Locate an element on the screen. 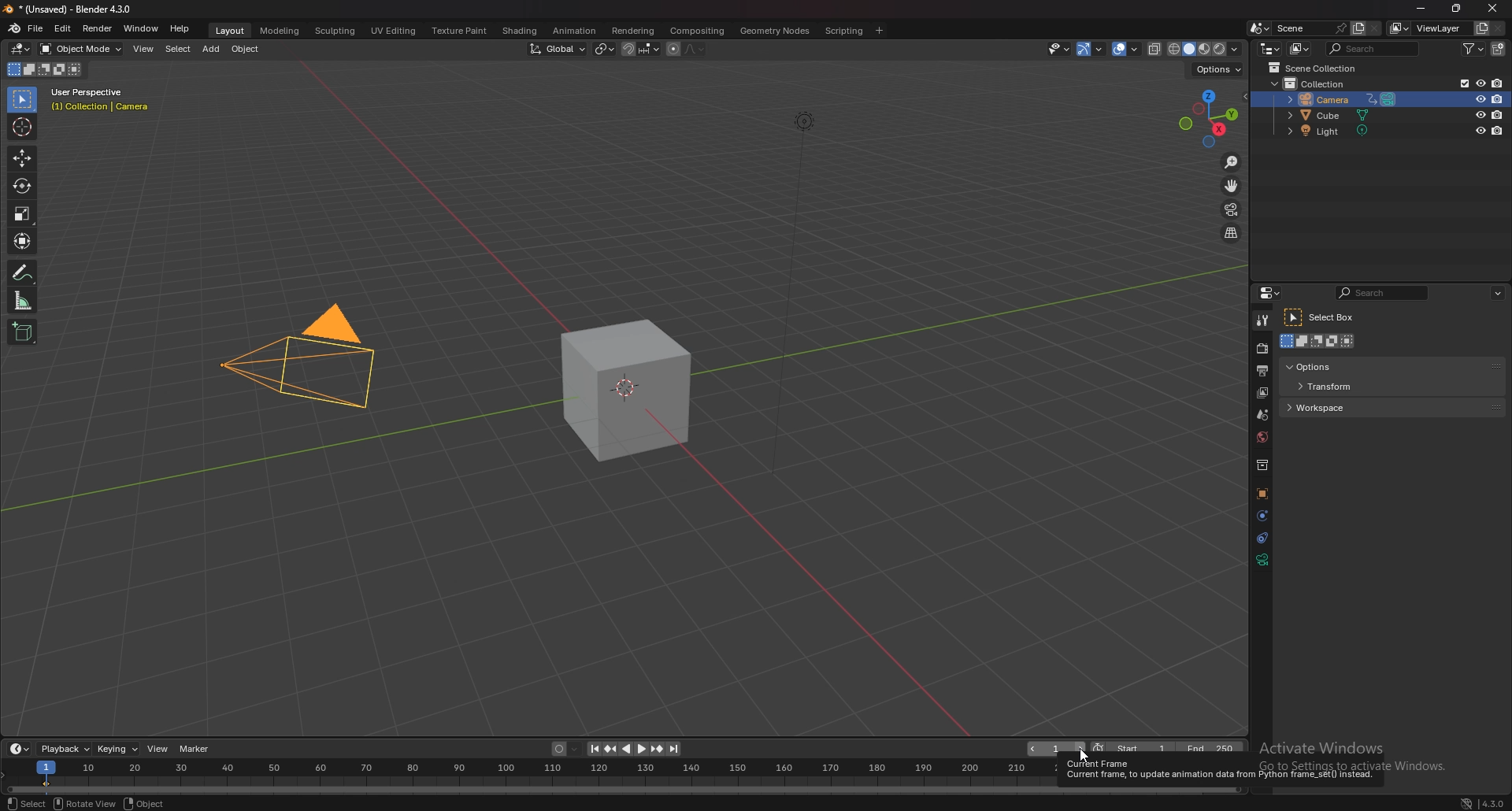  delete scene is located at coordinates (1375, 28).